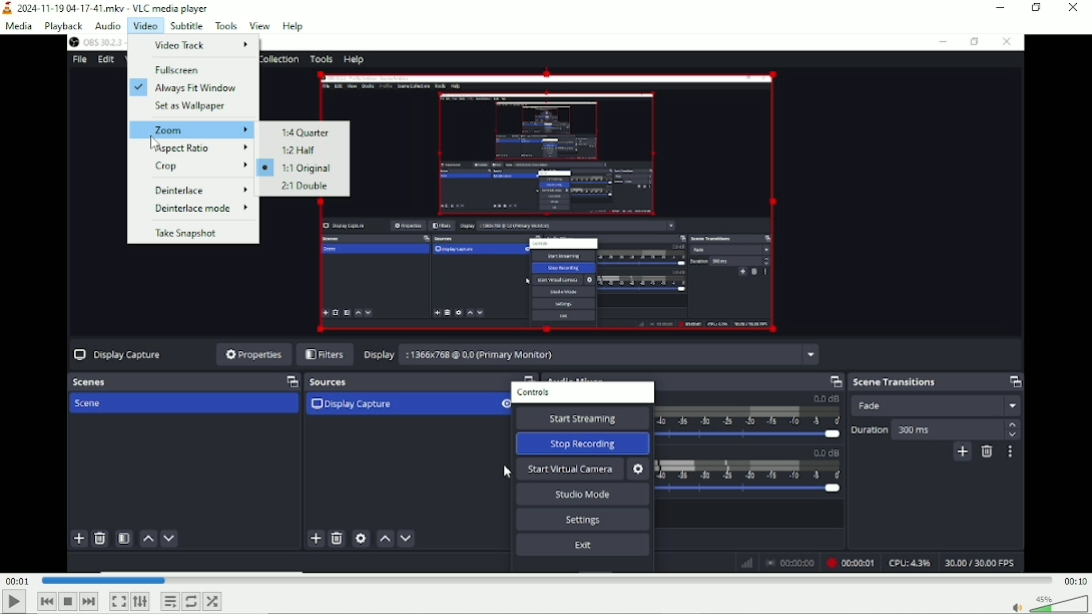 Image resolution: width=1092 pixels, height=614 pixels. What do you see at coordinates (214, 601) in the screenshot?
I see `random` at bounding box center [214, 601].